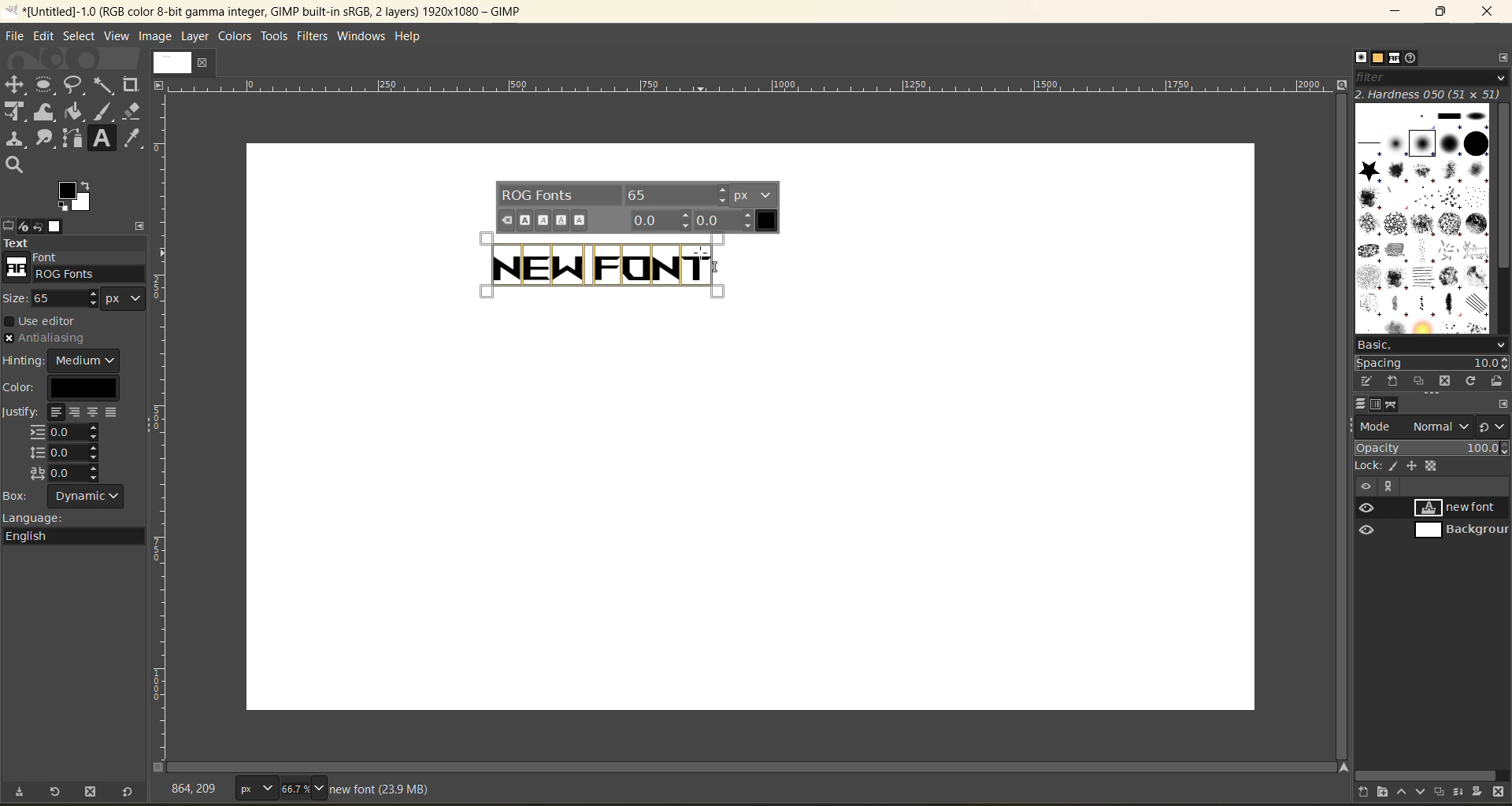 This screenshot has height=806, width=1512. Describe the element at coordinates (65, 445) in the screenshot. I see `justify` at that location.